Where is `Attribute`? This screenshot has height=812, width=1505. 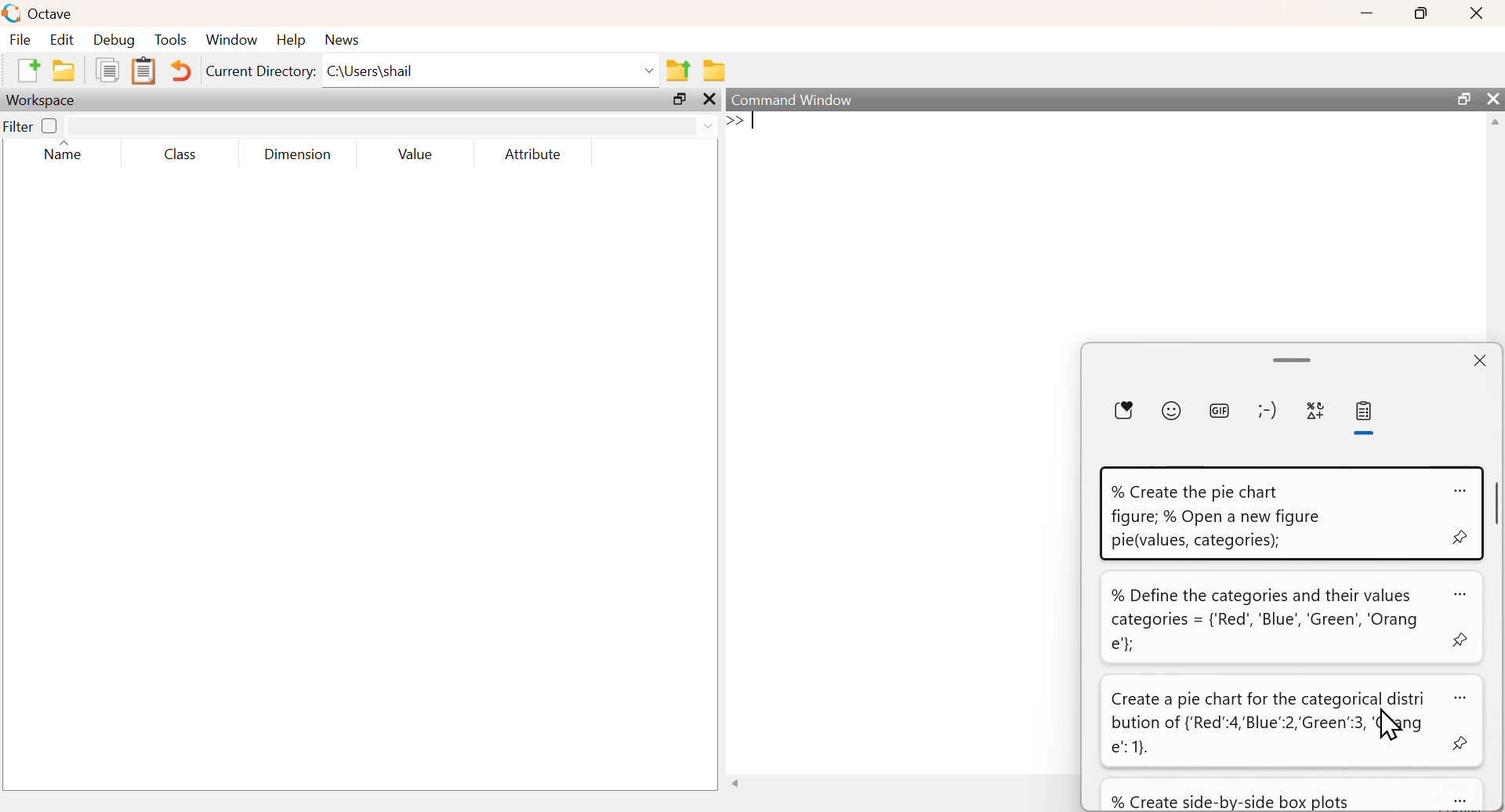 Attribute is located at coordinates (534, 154).